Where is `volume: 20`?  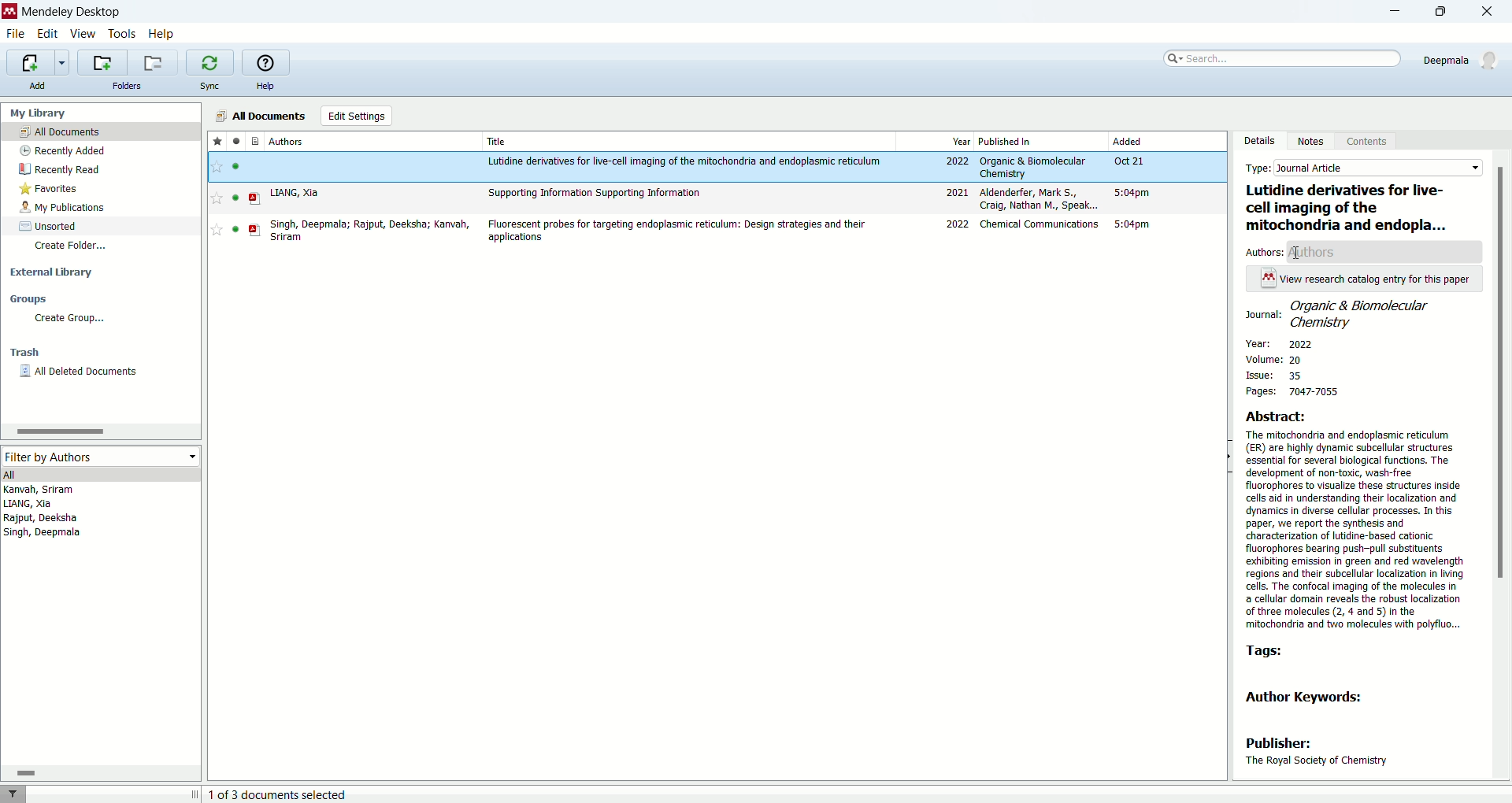 volume: 20 is located at coordinates (1281, 361).